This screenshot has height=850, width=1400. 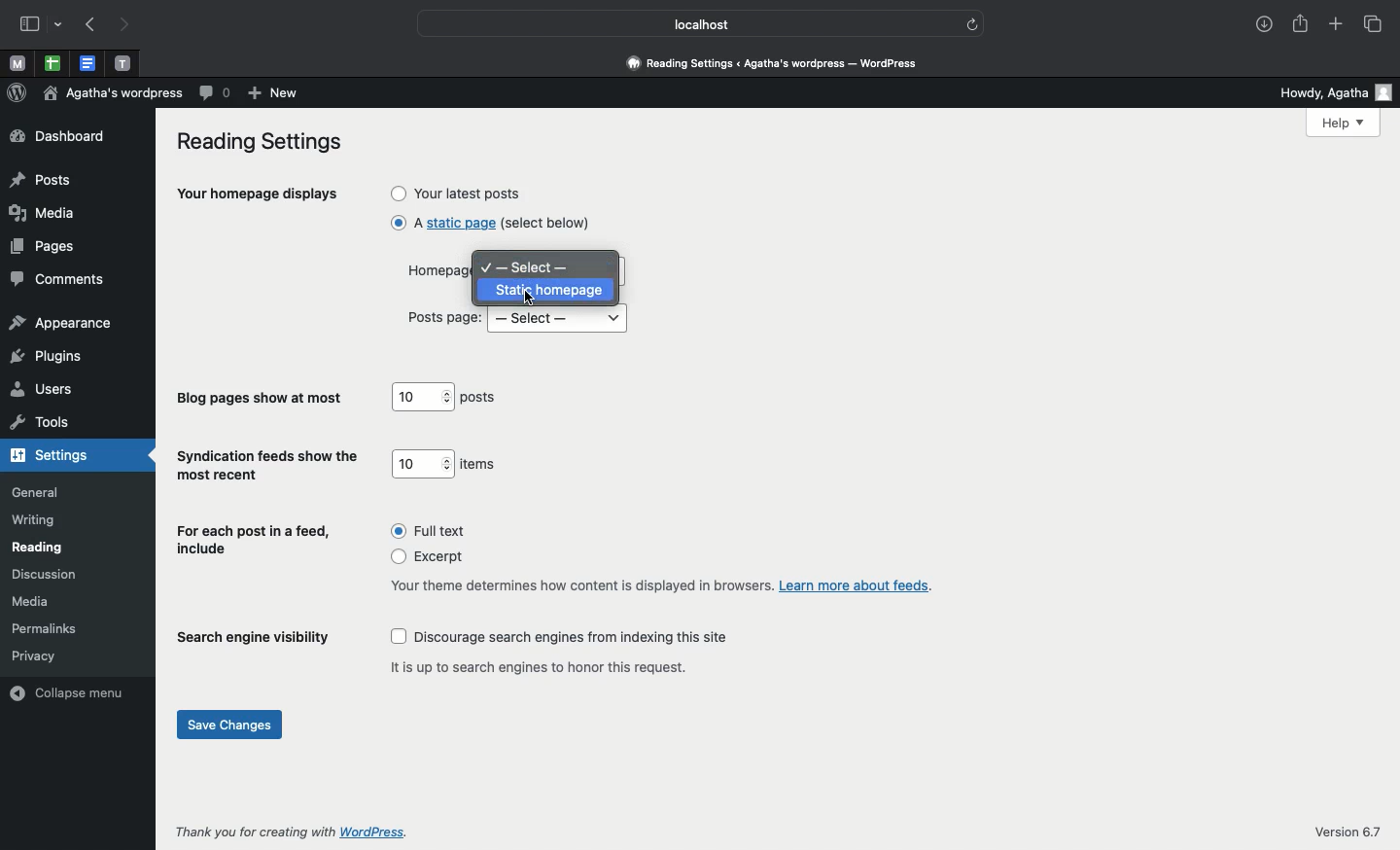 I want to click on Discourage search engines from indexing this site, so click(x=561, y=638).